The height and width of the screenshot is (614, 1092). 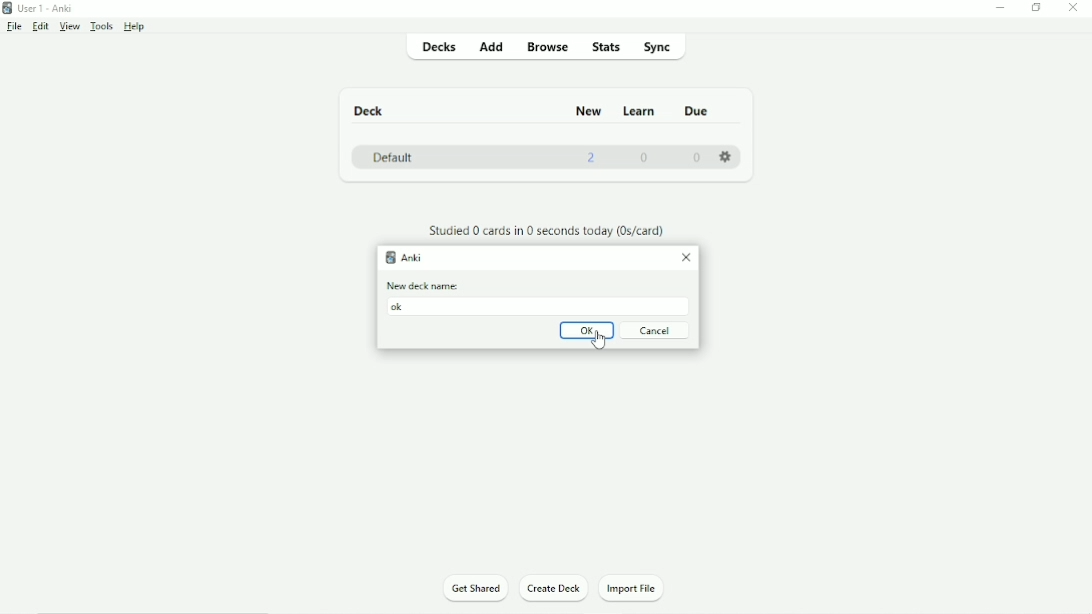 I want to click on View, so click(x=69, y=26).